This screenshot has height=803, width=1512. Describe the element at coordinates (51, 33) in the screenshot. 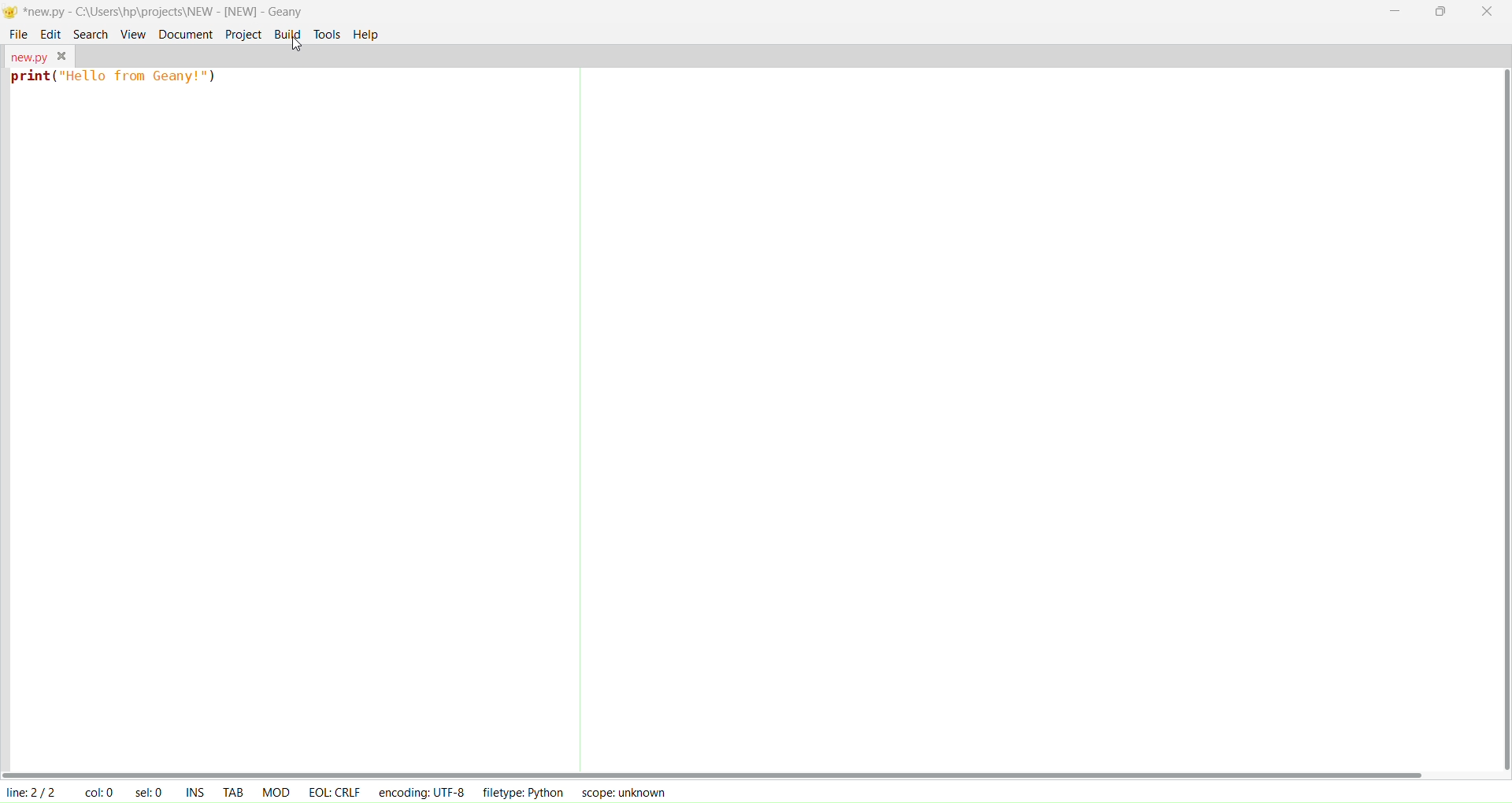

I see `edit` at that location.